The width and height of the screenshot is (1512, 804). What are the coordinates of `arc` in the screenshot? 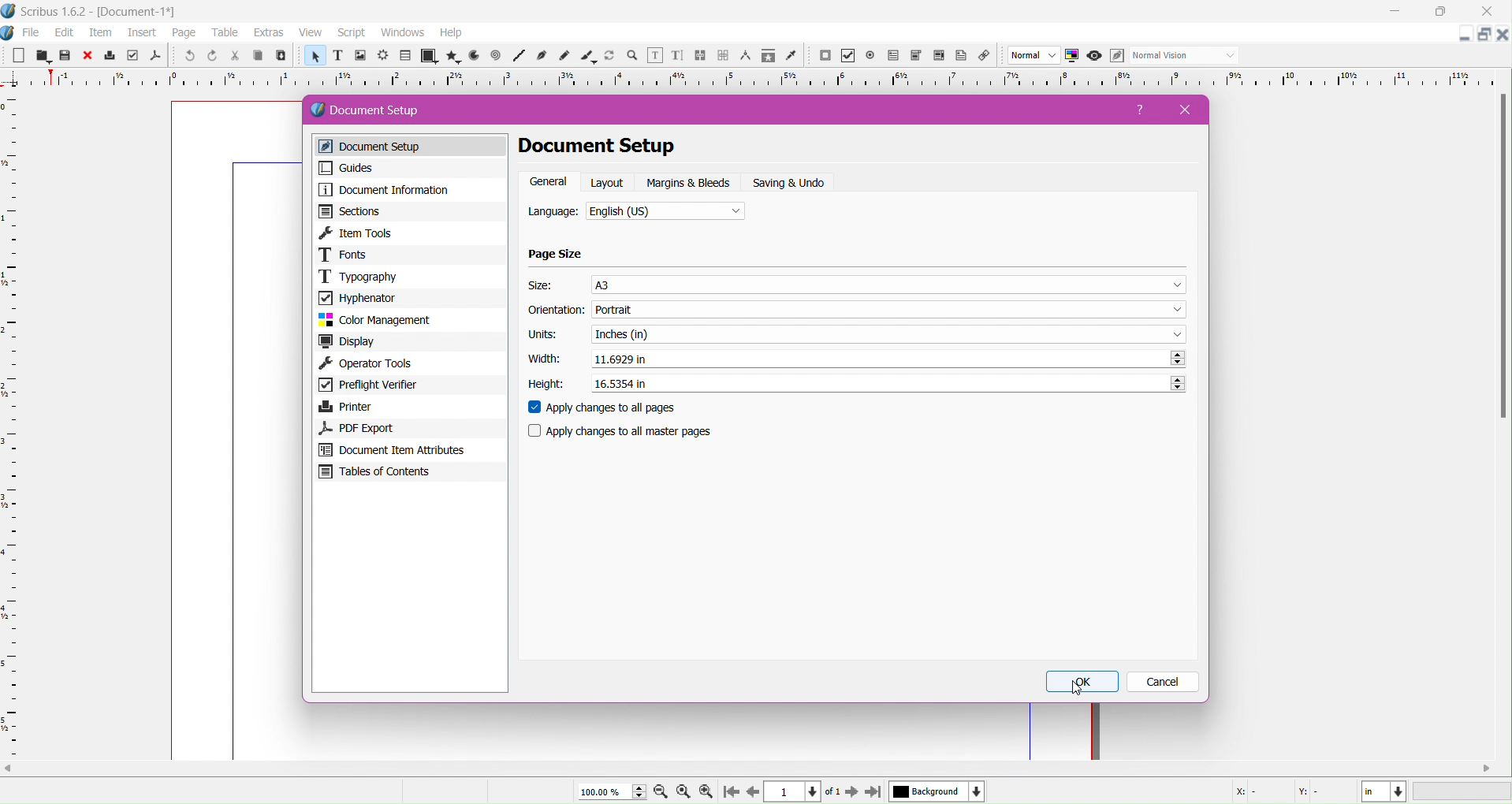 It's located at (471, 56).